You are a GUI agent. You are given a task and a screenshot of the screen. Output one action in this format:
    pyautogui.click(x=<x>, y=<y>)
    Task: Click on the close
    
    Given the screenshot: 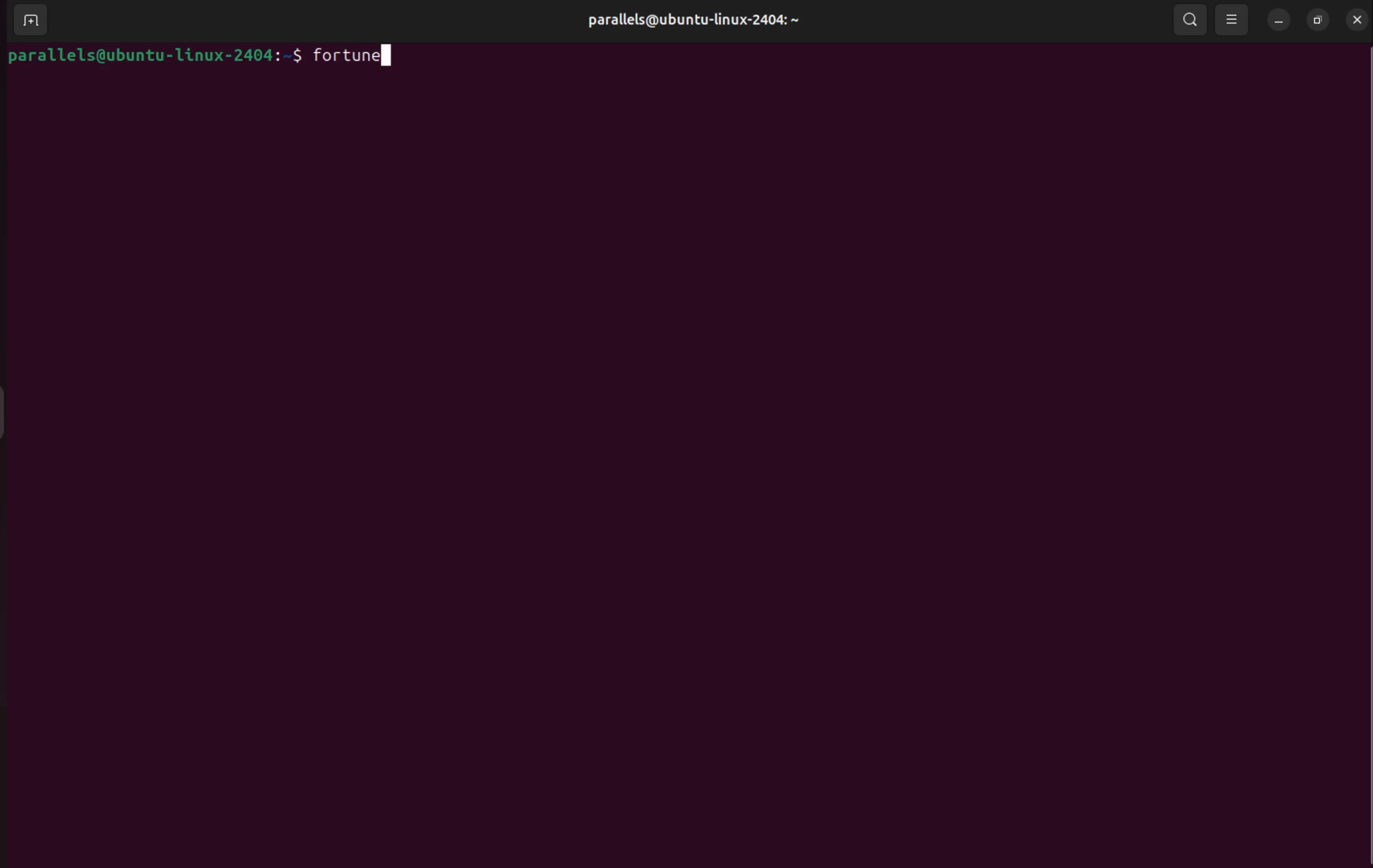 What is the action you would take?
    pyautogui.click(x=1358, y=19)
    